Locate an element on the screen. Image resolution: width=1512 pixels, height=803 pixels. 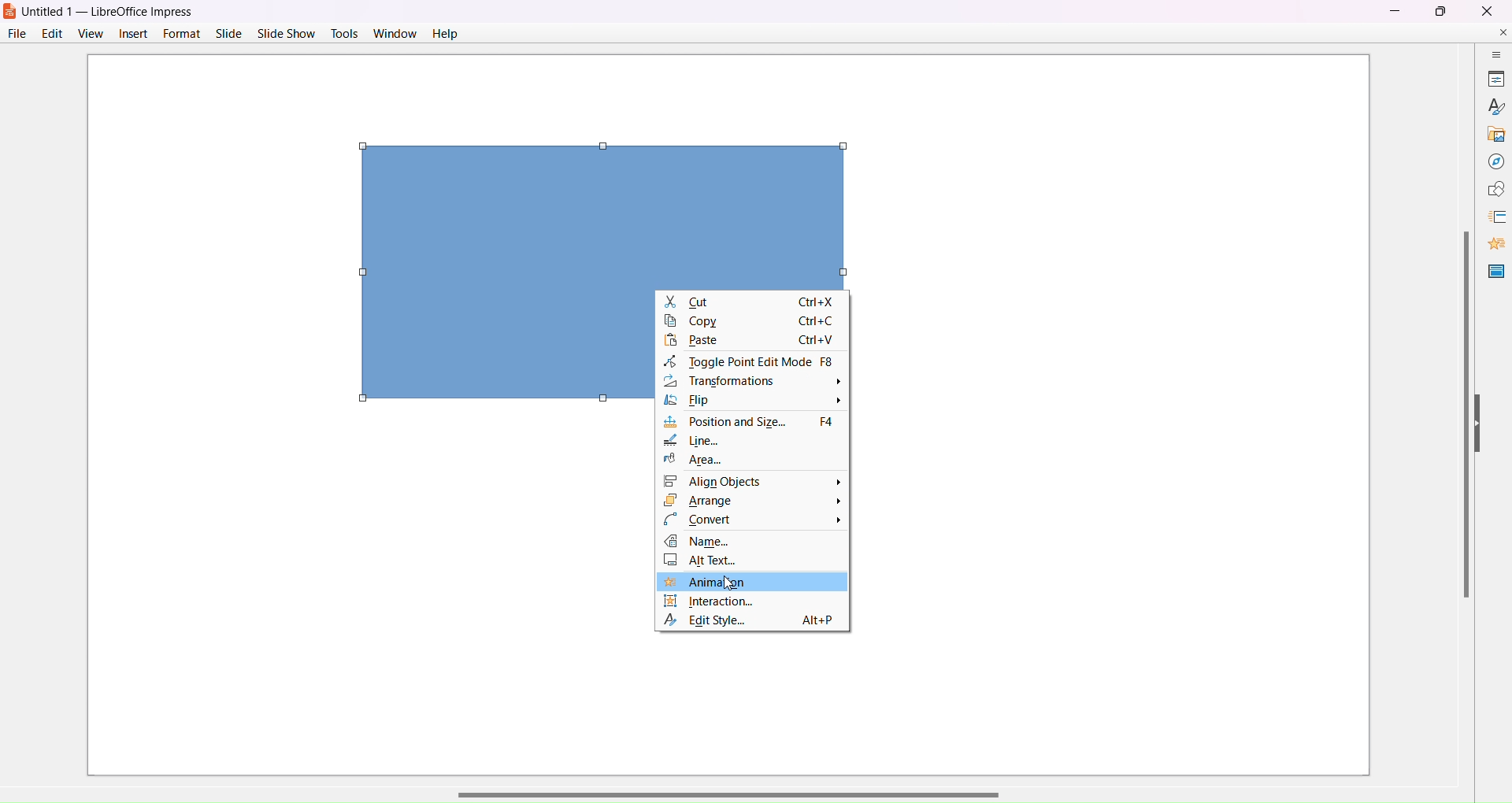
Gallery is located at coordinates (1491, 131).